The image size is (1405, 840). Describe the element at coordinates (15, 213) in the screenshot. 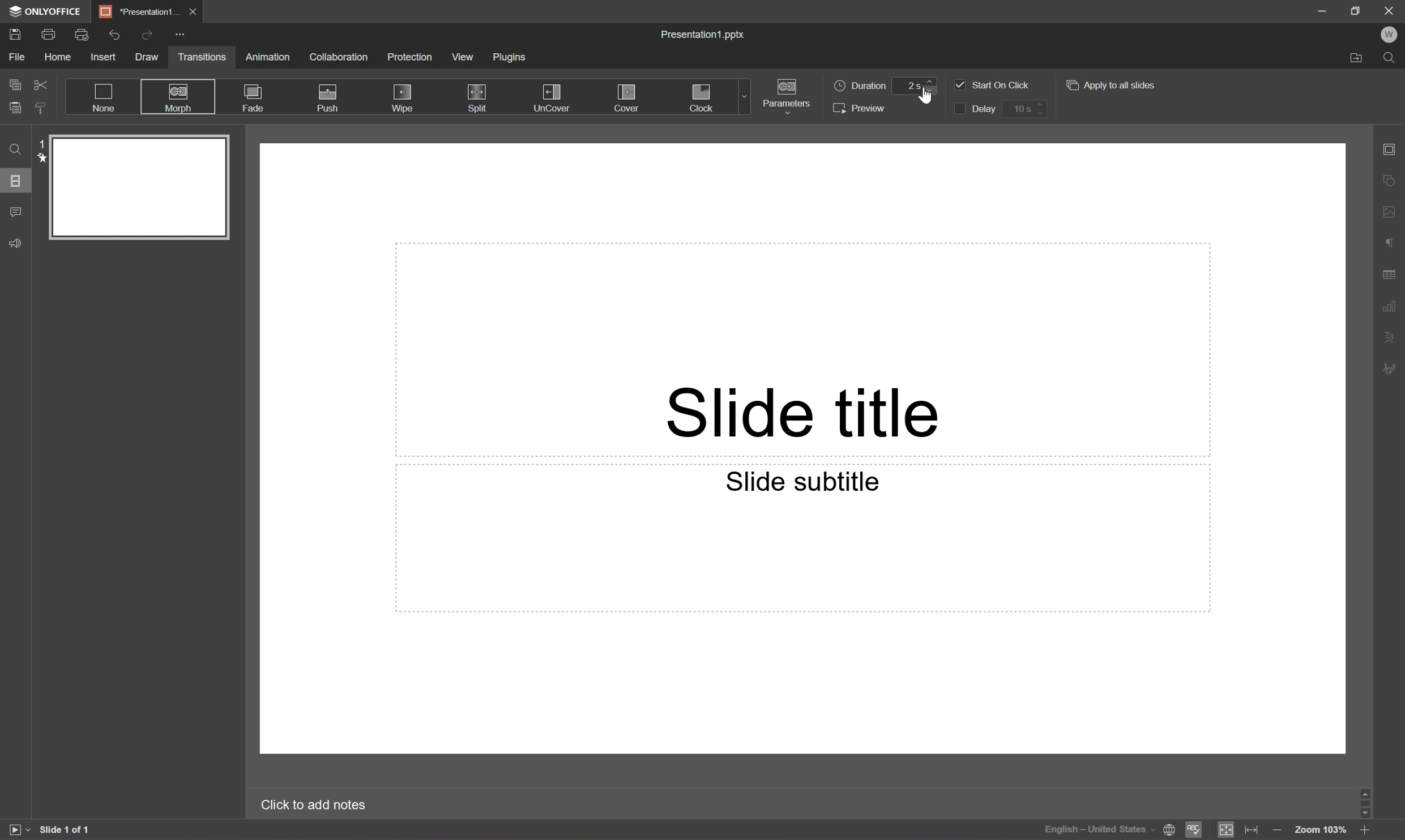

I see `Comments` at that location.